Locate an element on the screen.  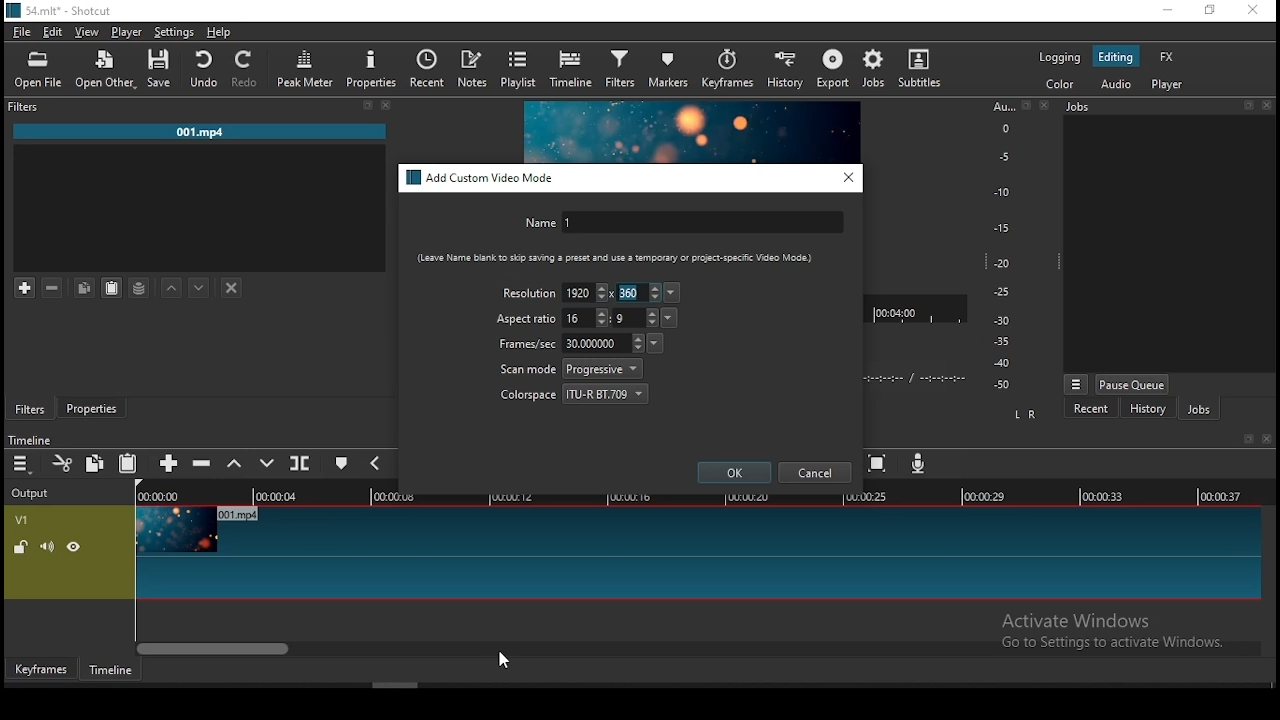
video track is located at coordinates (696, 553).